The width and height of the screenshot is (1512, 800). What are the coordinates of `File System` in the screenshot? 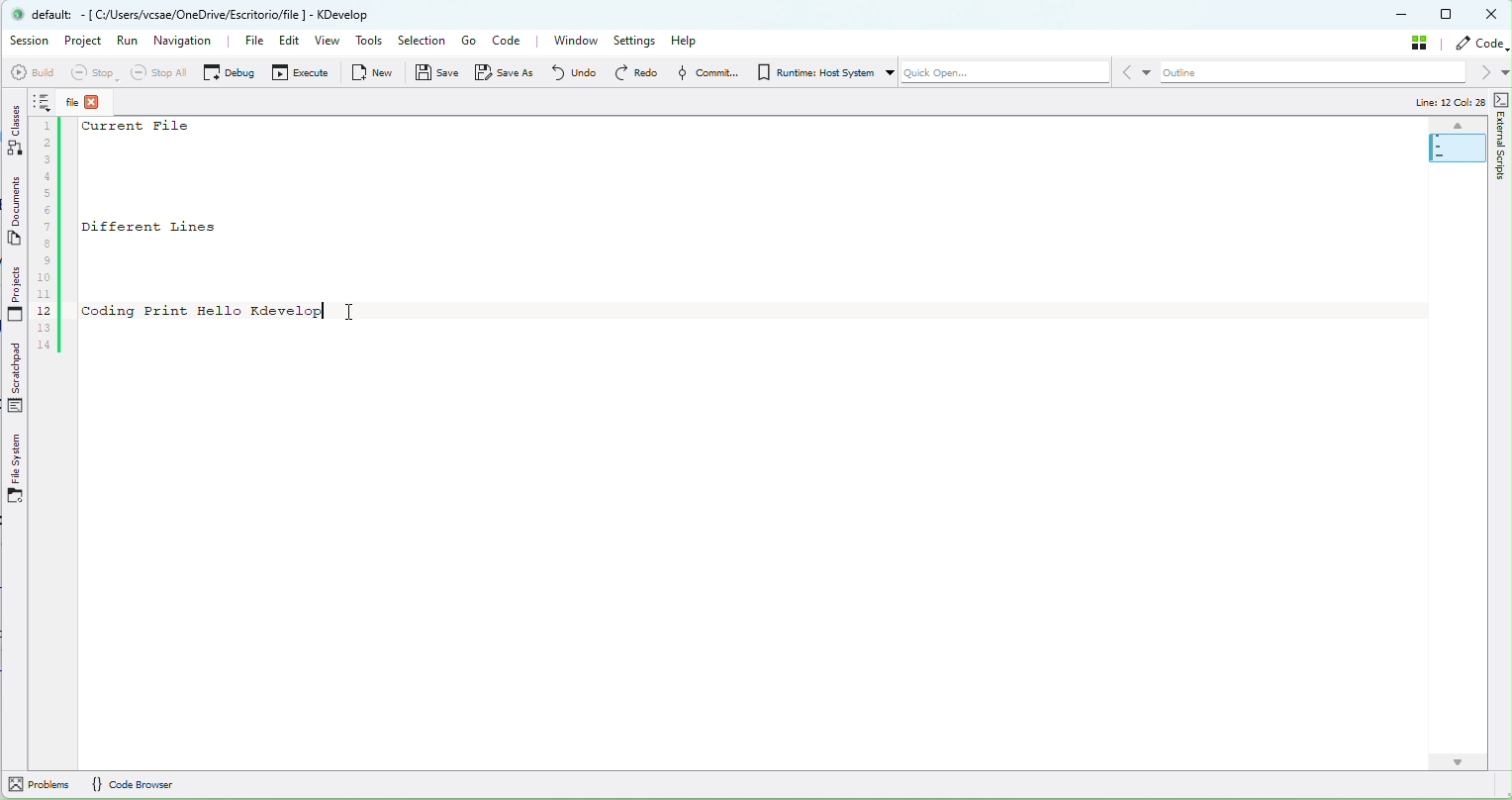 It's located at (16, 469).